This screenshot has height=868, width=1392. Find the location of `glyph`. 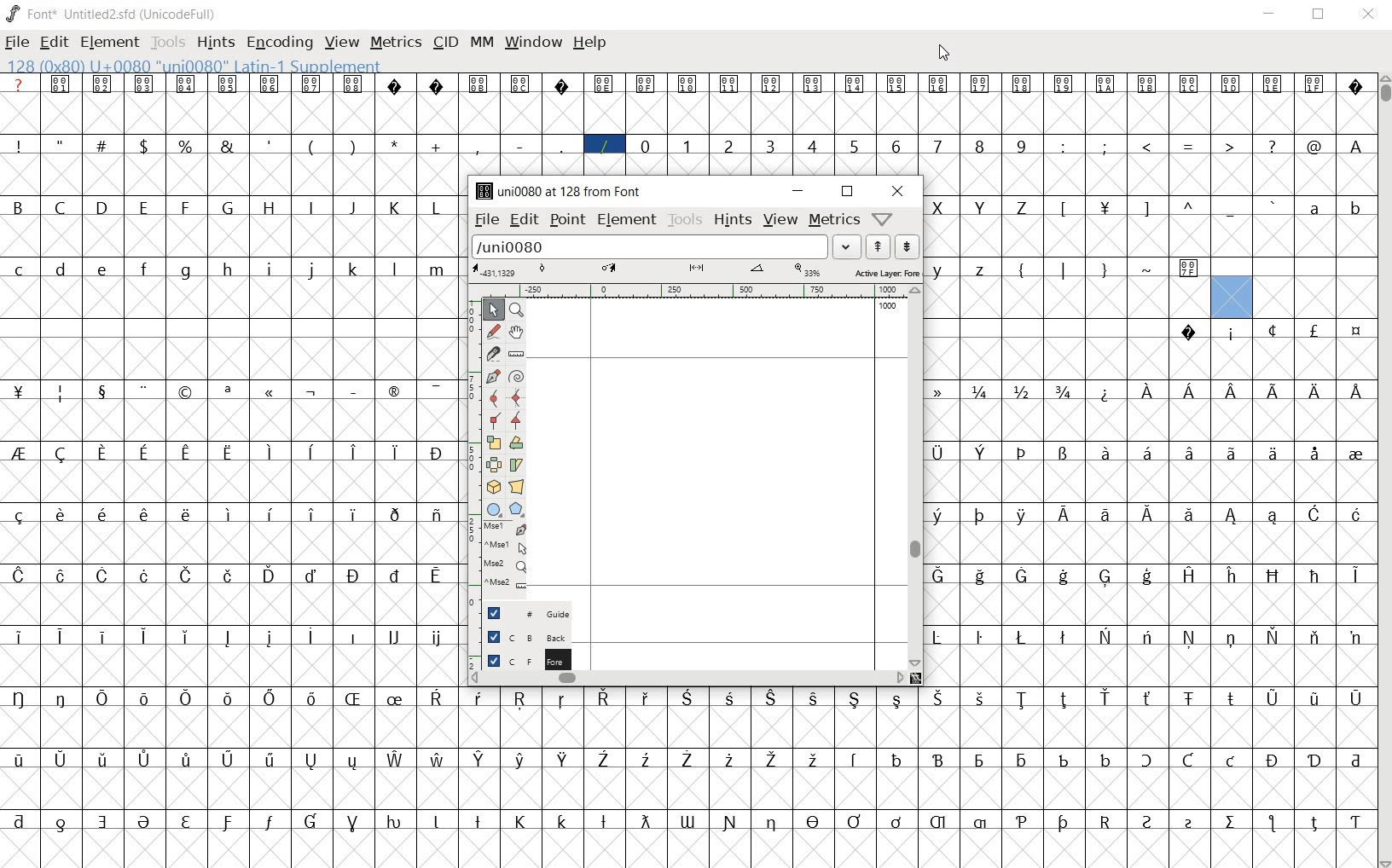

glyph is located at coordinates (562, 821).